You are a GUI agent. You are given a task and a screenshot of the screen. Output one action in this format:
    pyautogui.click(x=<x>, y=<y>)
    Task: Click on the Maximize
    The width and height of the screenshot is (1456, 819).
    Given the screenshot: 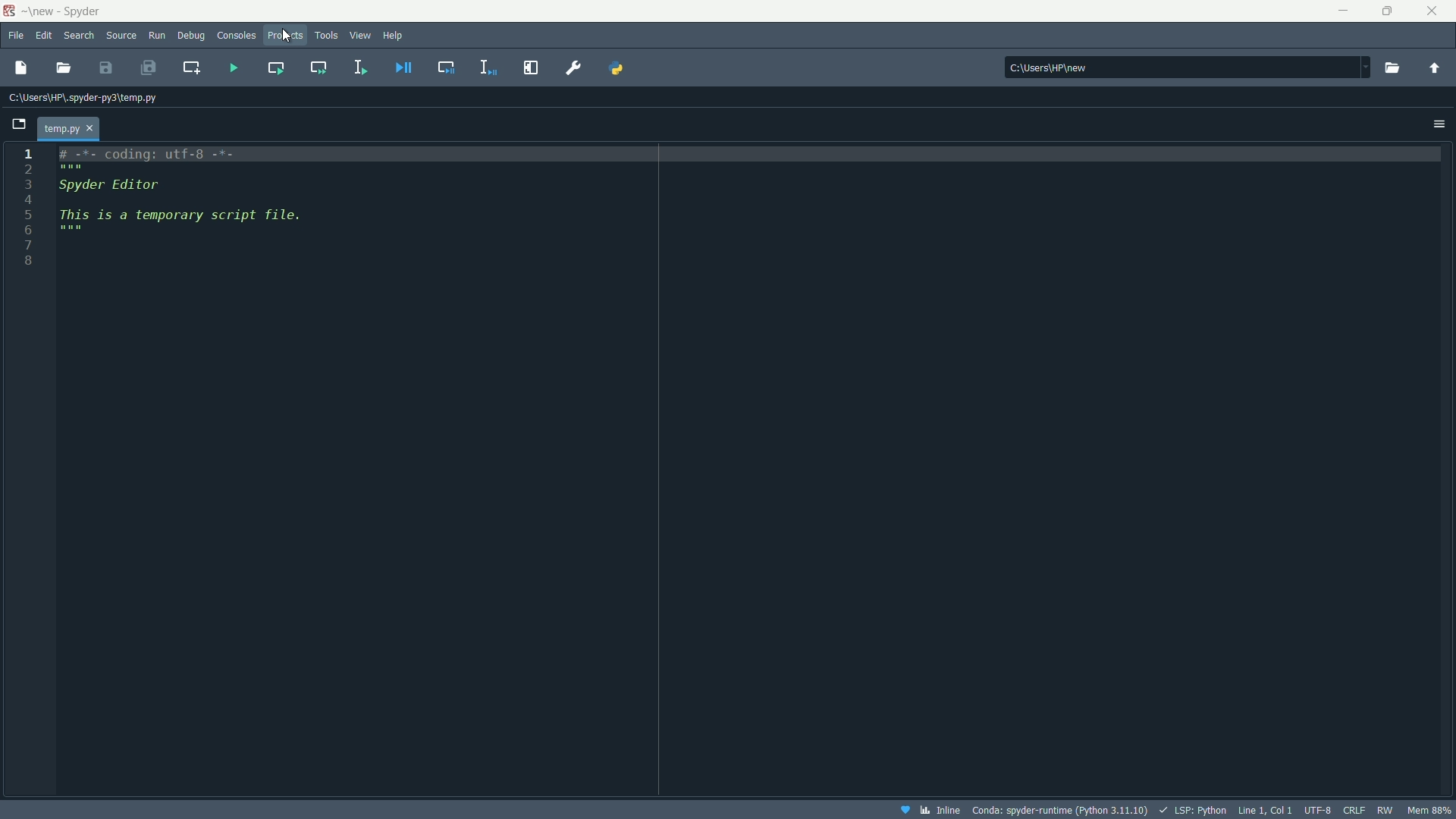 What is the action you would take?
    pyautogui.click(x=1386, y=12)
    